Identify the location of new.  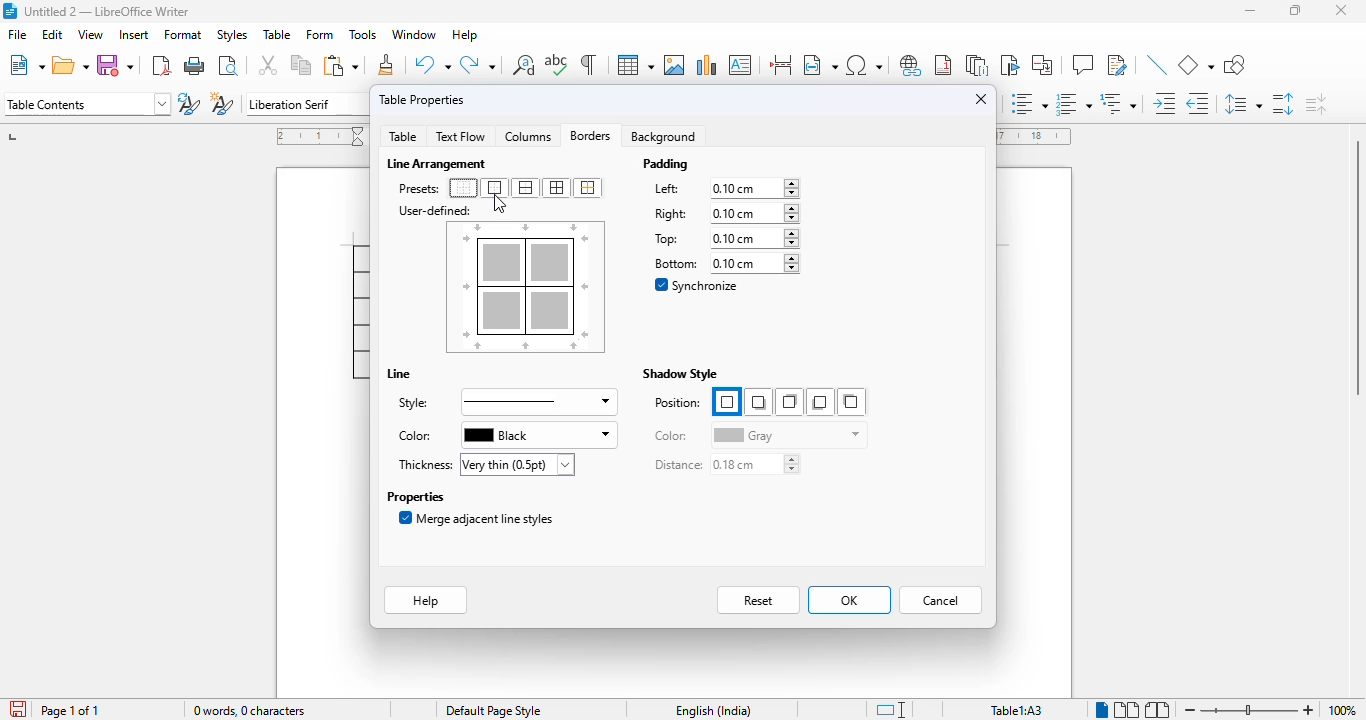
(27, 65).